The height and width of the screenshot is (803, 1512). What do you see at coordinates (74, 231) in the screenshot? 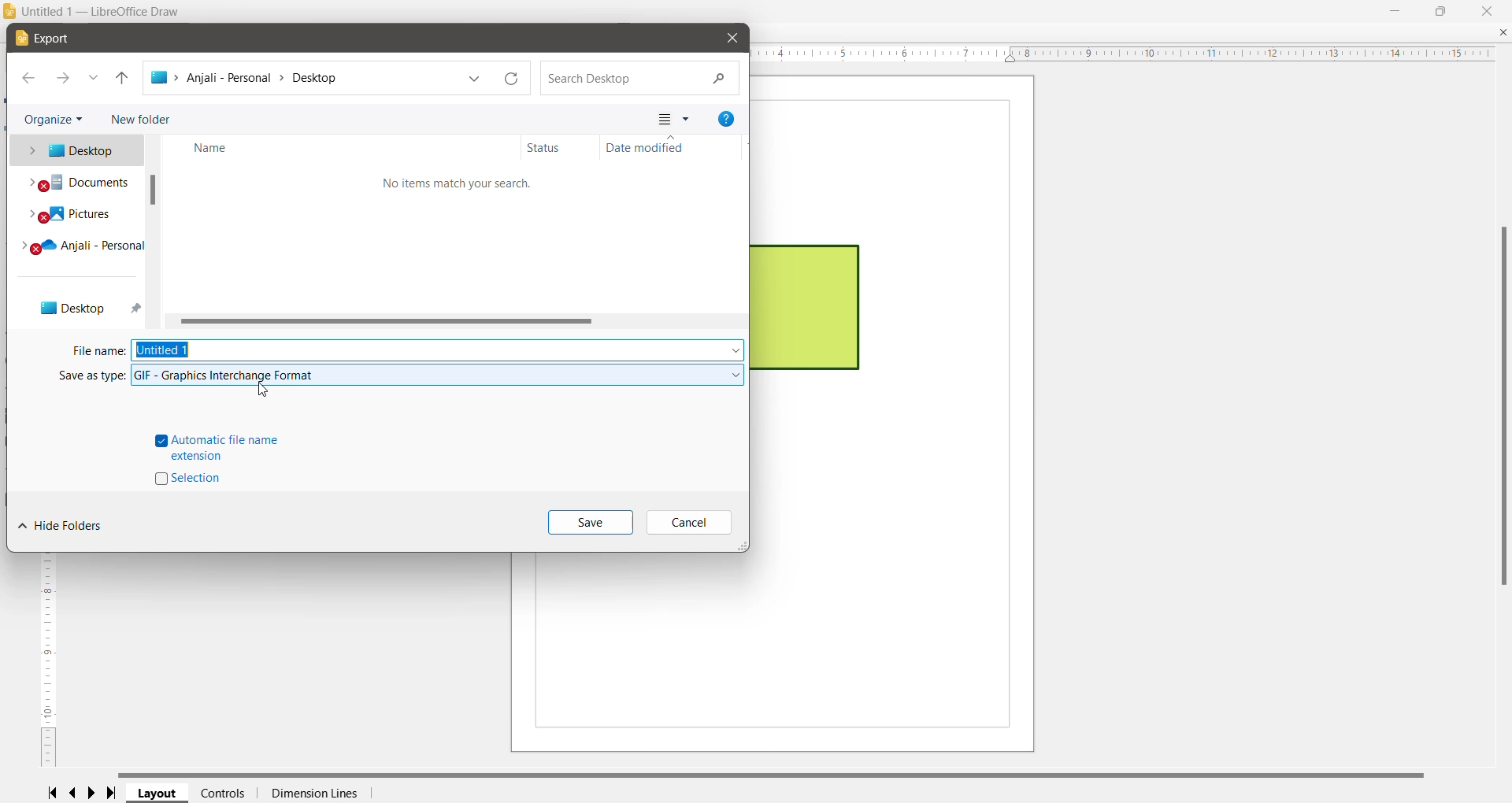
I see `System locations` at bounding box center [74, 231].